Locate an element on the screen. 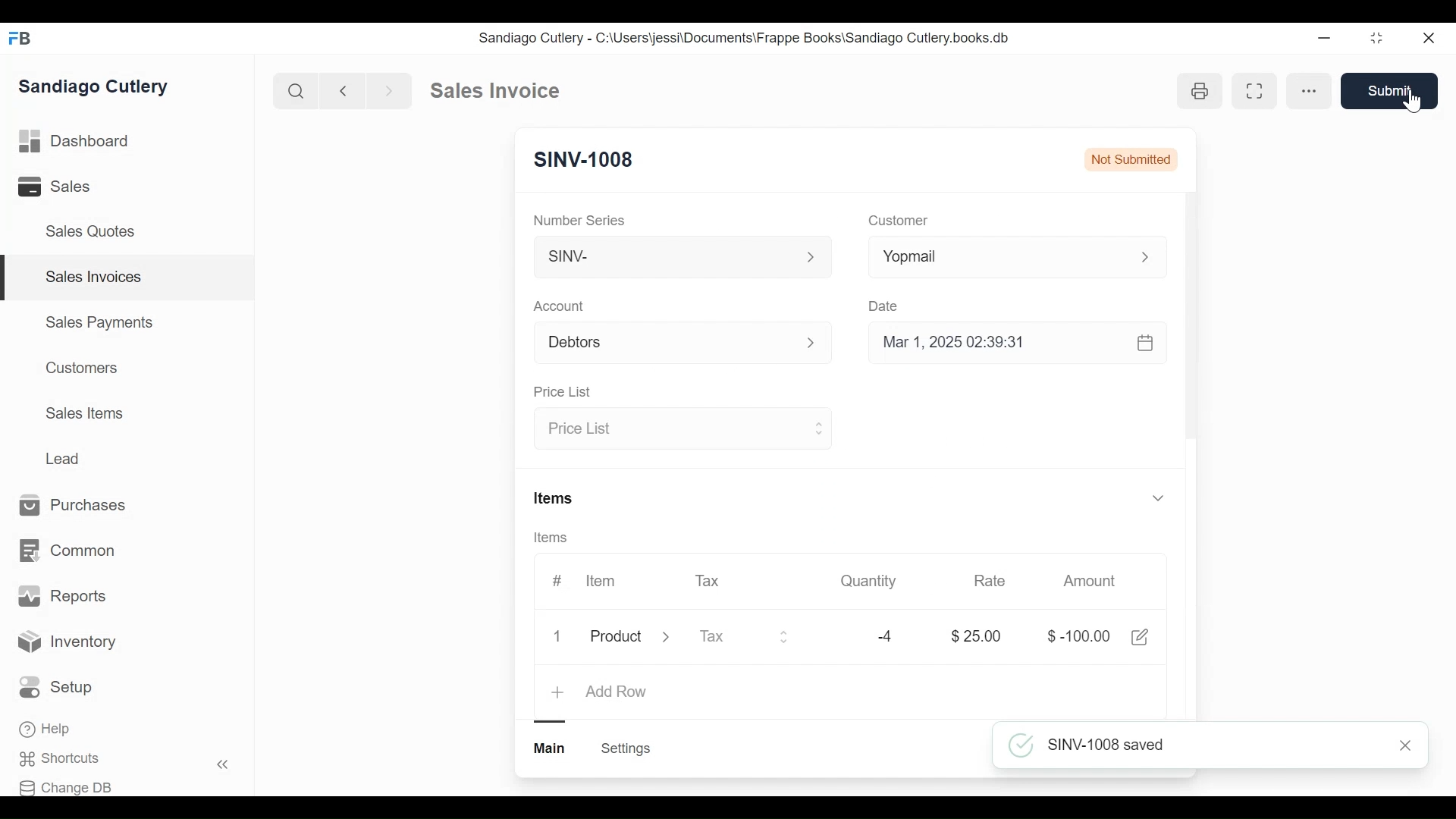 This screenshot has width=1456, height=819. Main is located at coordinates (551, 748).